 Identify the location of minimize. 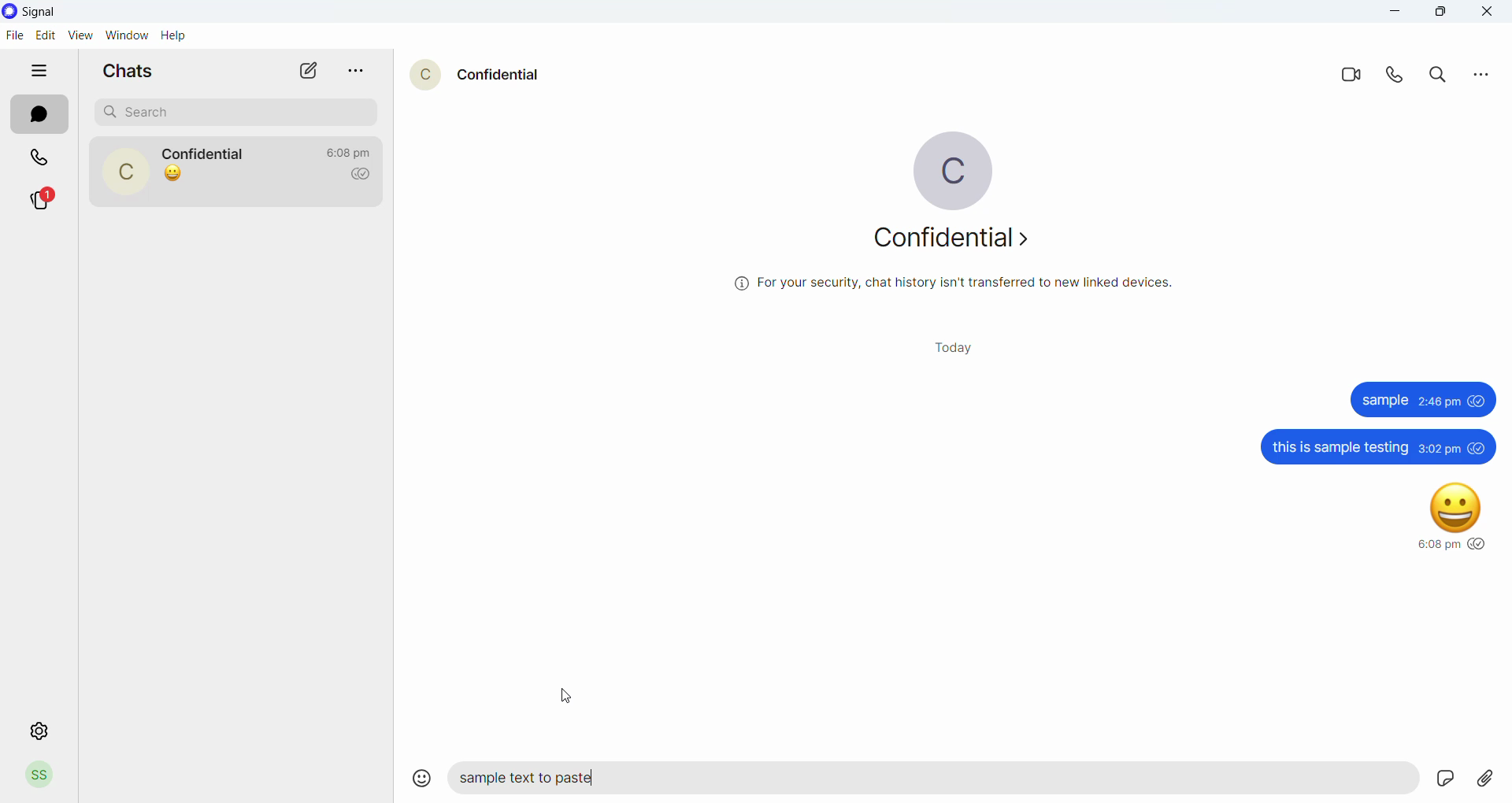
(1398, 13).